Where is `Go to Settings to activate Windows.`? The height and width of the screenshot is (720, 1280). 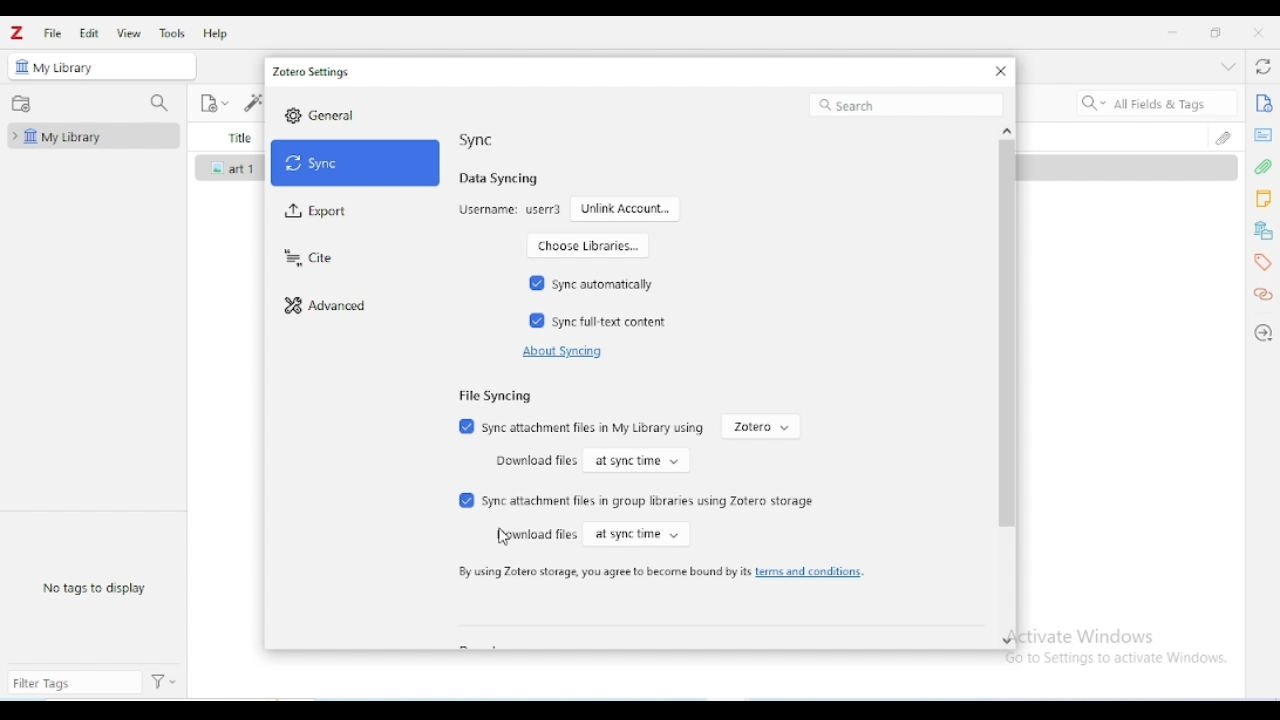 Go to Settings to activate Windows. is located at coordinates (1120, 658).